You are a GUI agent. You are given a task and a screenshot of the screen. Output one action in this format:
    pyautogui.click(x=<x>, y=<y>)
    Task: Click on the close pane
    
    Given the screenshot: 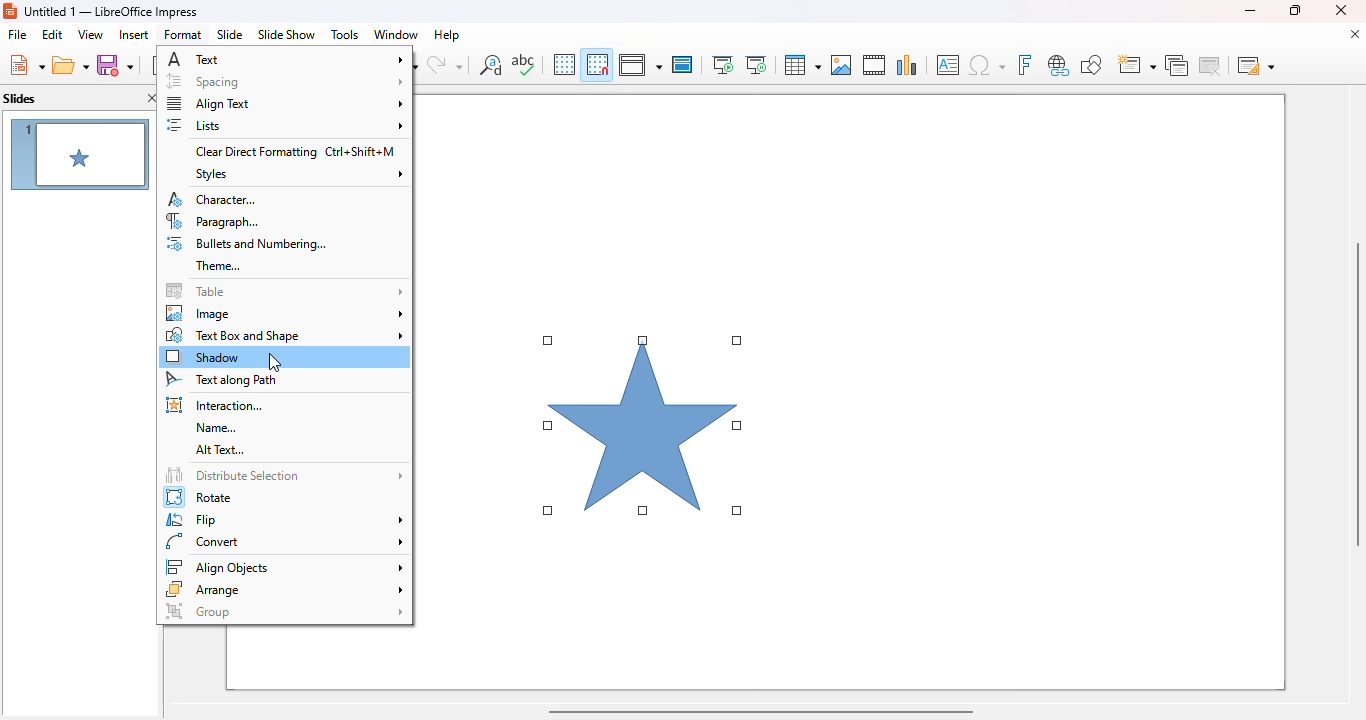 What is the action you would take?
    pyautogui.click(x=152, y=99)
    